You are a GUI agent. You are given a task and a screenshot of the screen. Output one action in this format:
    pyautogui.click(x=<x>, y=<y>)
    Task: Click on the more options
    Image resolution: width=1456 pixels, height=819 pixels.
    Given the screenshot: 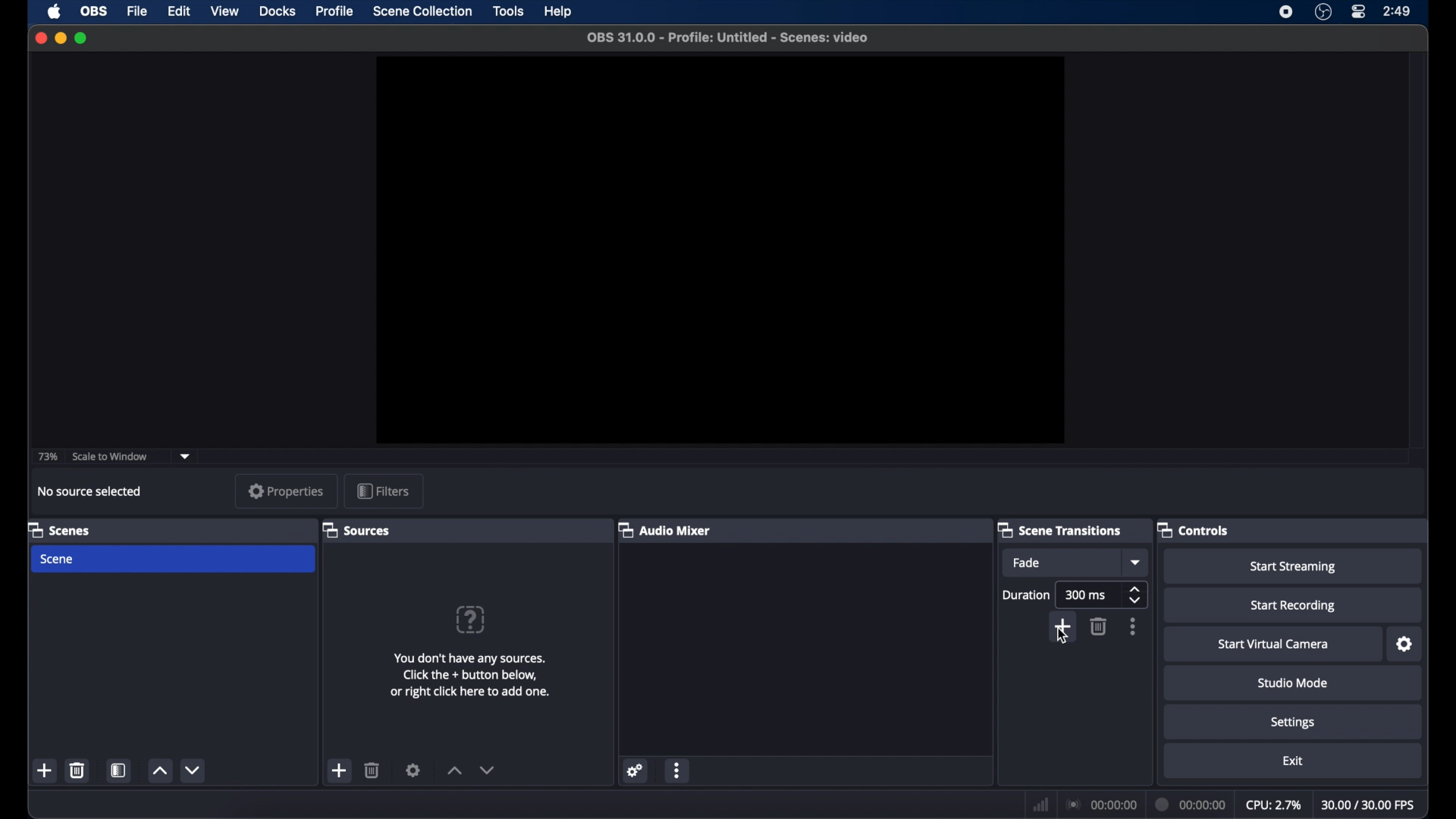 What is the action you would take?
    pyautogui.click(x=678, y=770)
    